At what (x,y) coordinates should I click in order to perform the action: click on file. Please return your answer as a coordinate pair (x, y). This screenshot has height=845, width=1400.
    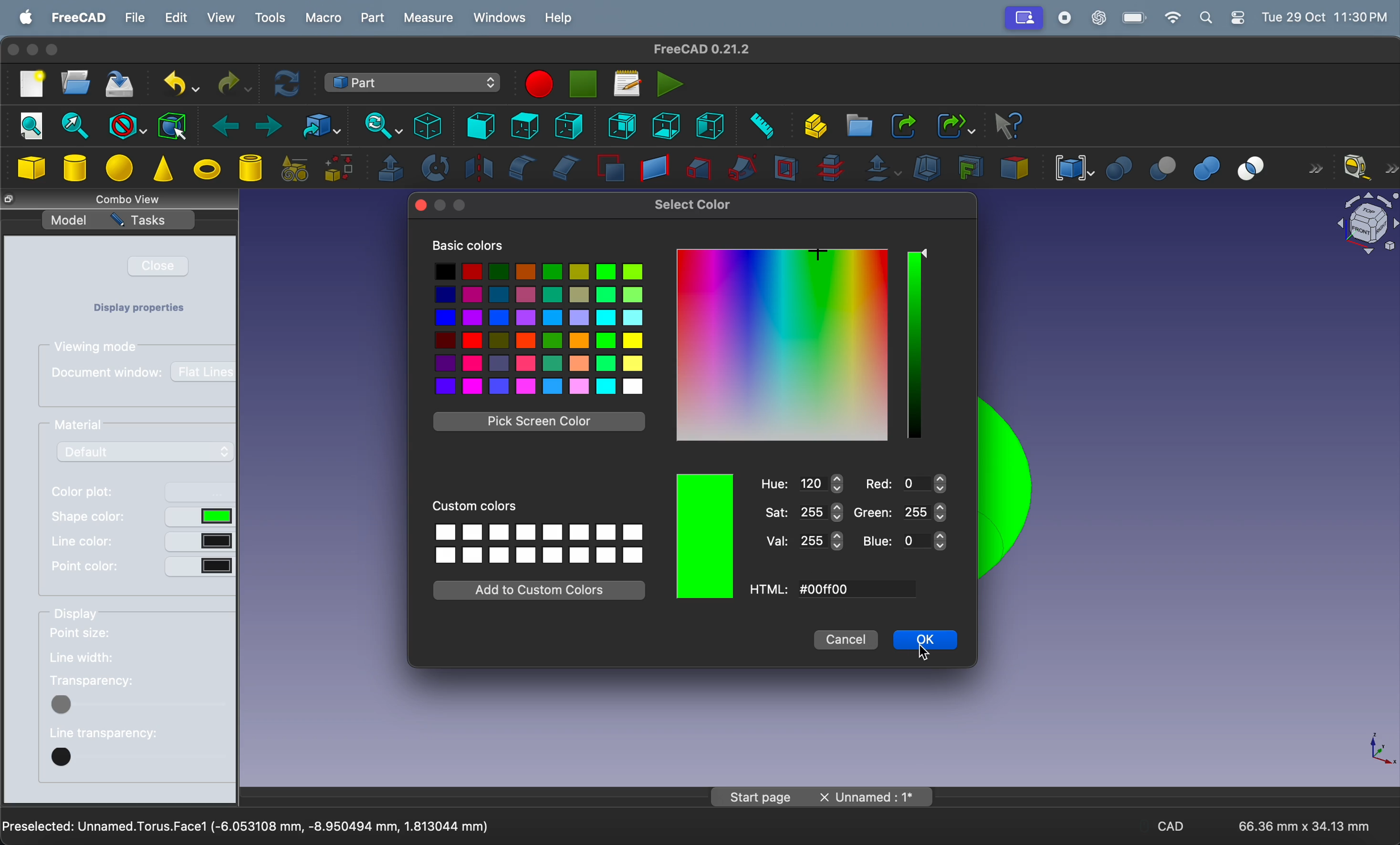
    Looking at the image, I should click on (134, 18).